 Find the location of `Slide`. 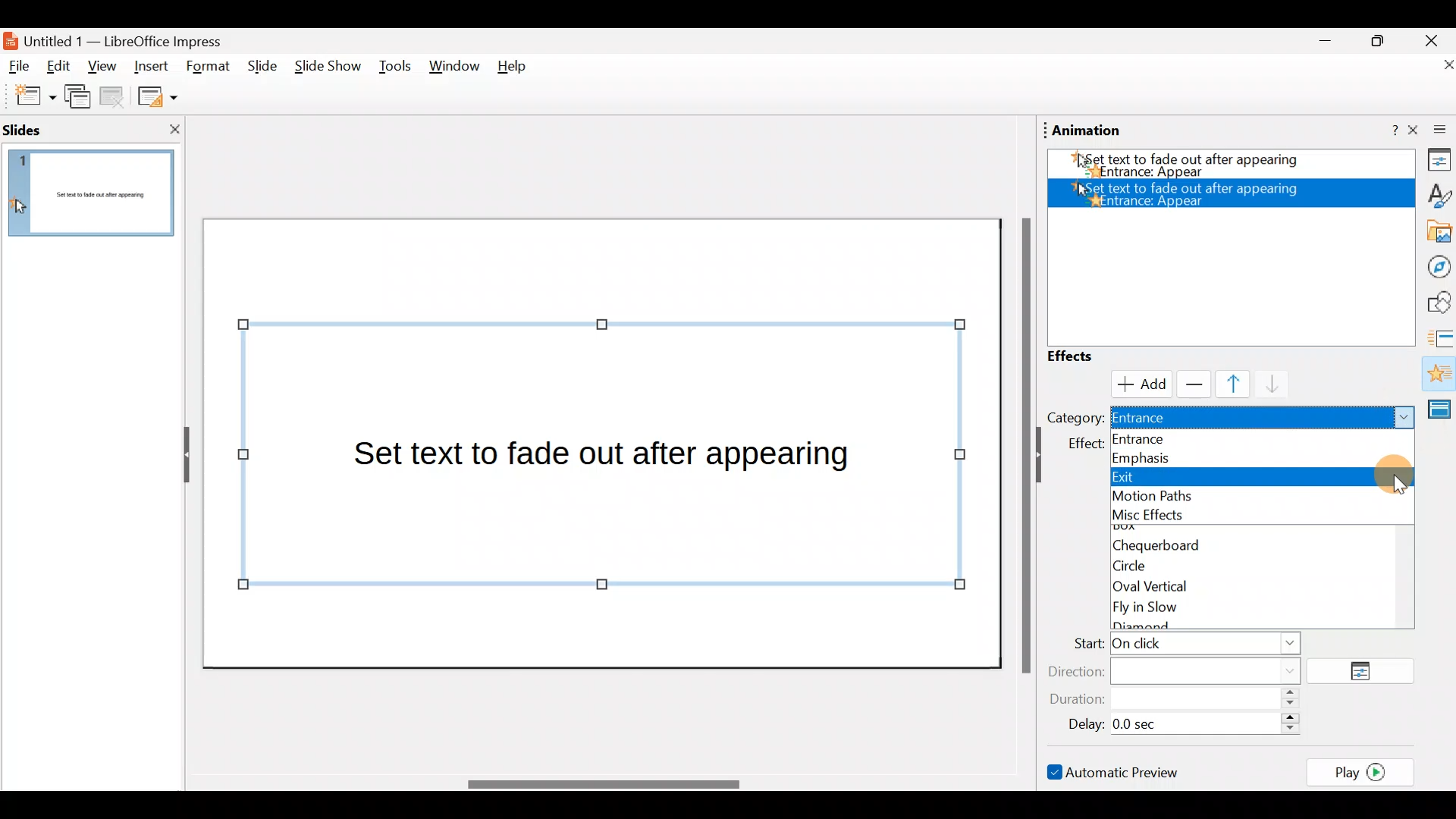

Slide is located at coordinates (259, 67).